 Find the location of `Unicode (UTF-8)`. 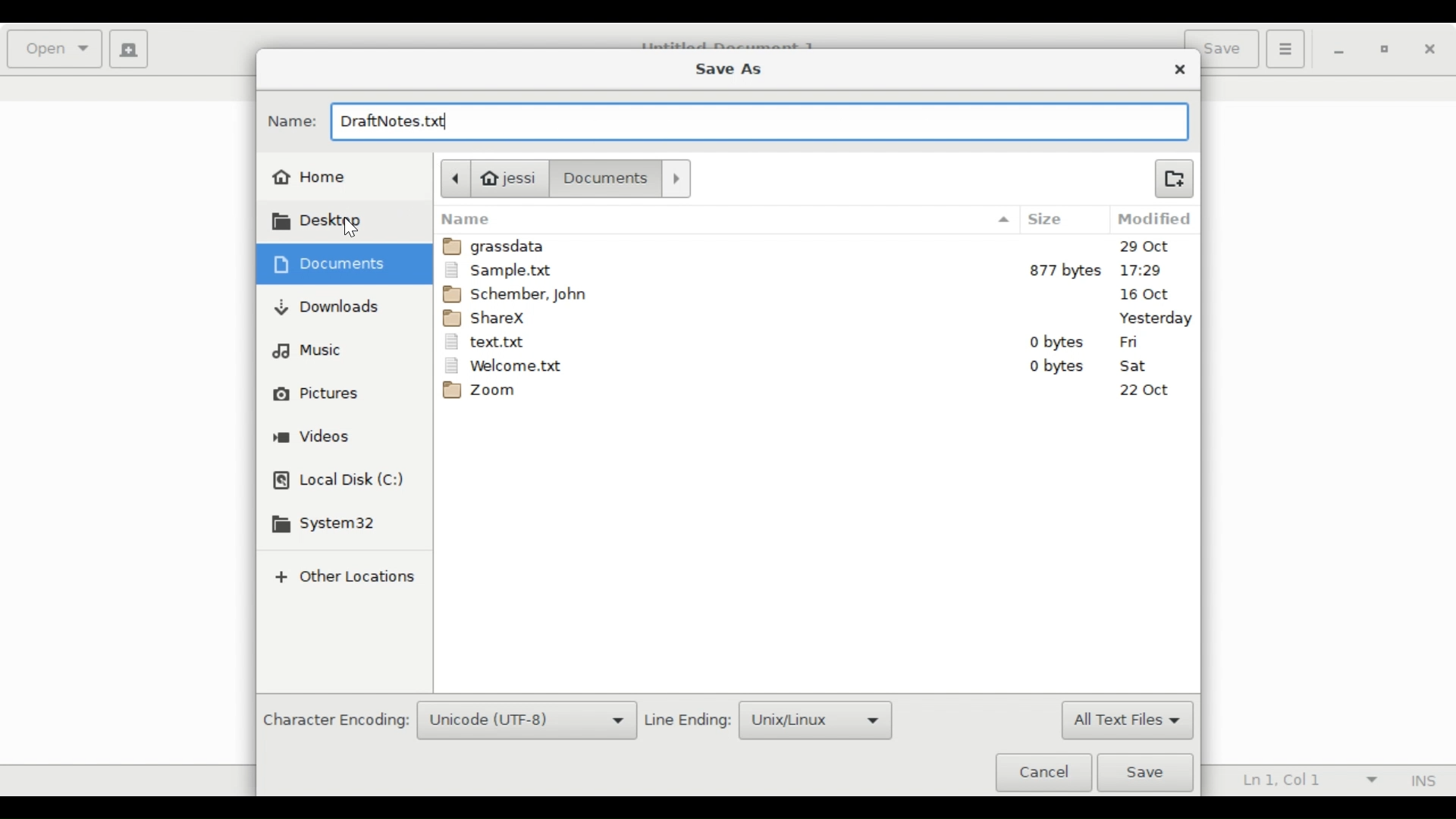

Unicode (UTF-8) is located at coordinates (527, 721).